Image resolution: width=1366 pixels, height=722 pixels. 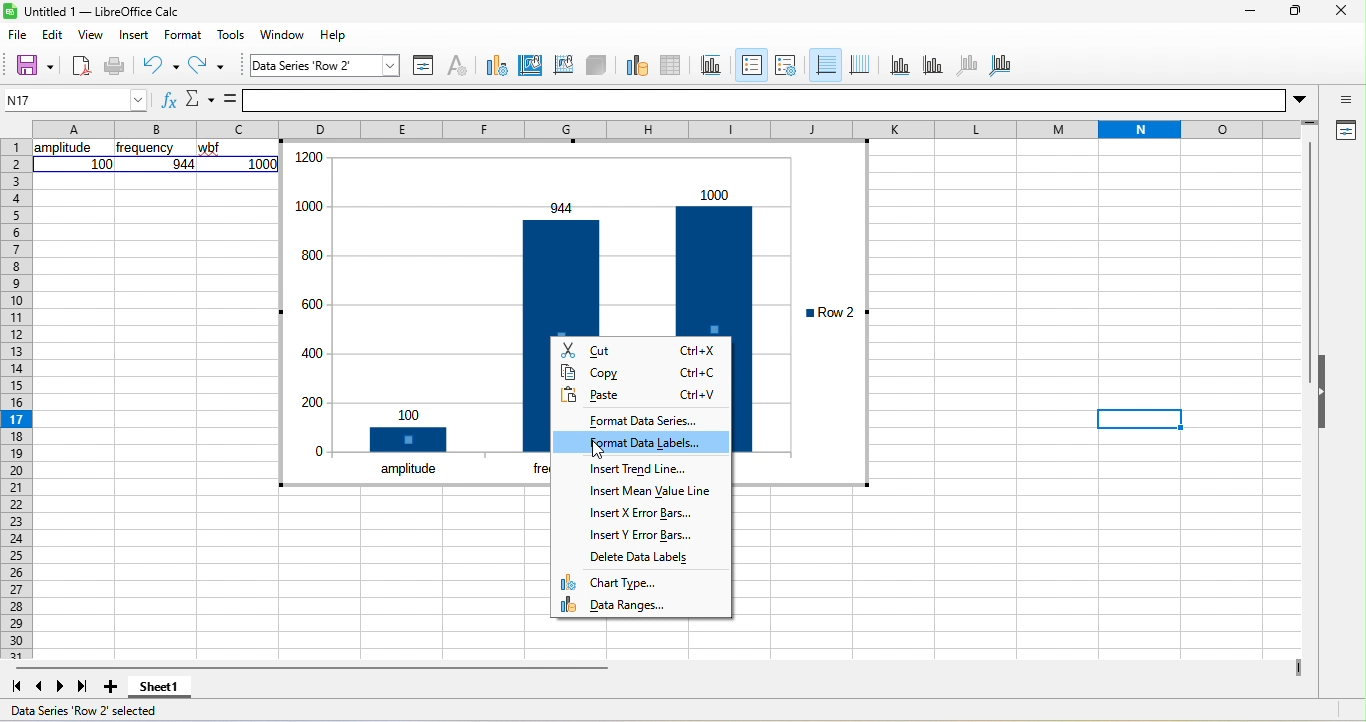 I want to click on horizontal scroll bar, so click(x=313, y=667).